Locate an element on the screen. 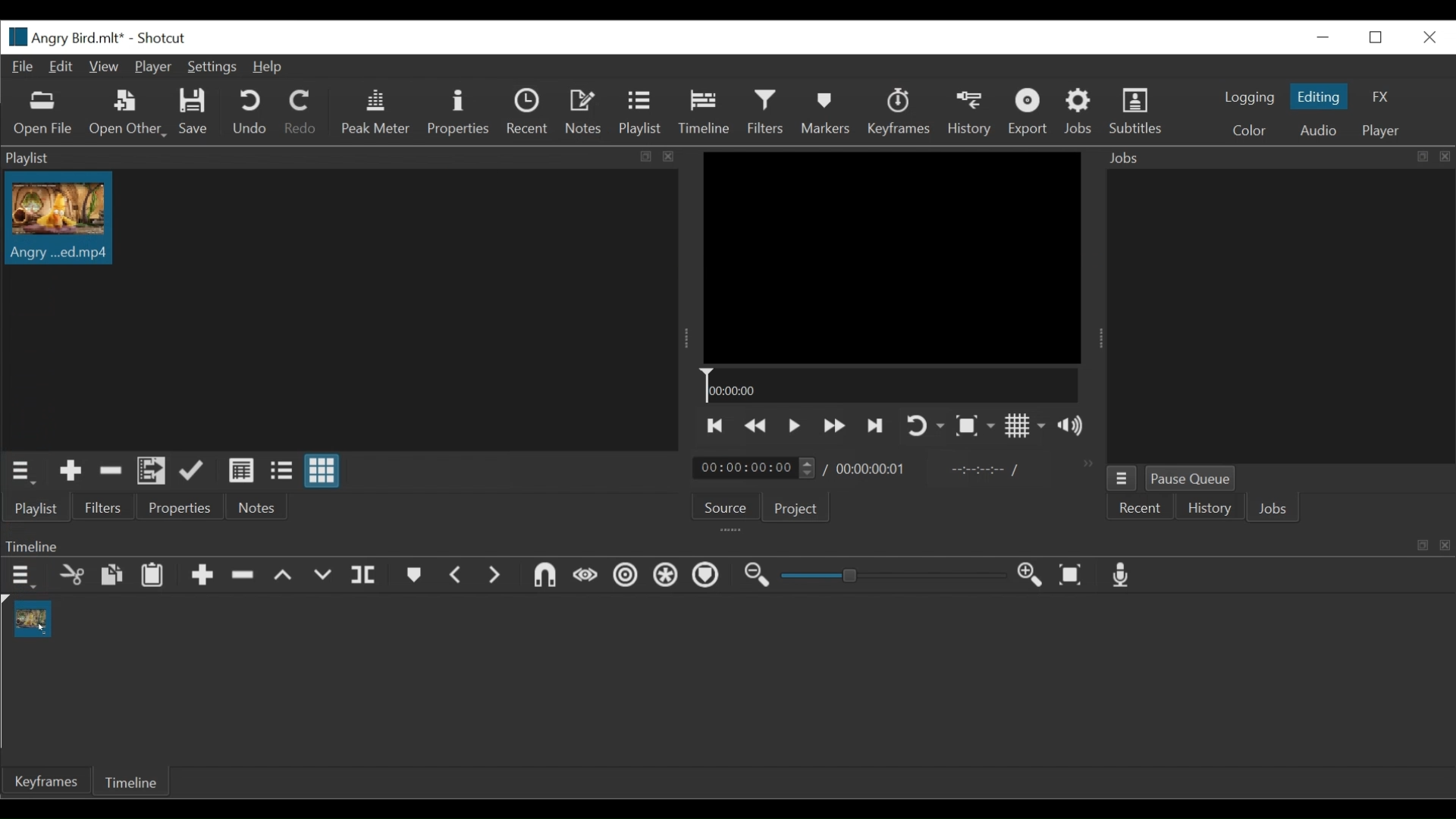 The height and width of the screenshot is (819, 1456). Total duration is located at coordinates (870, 471).